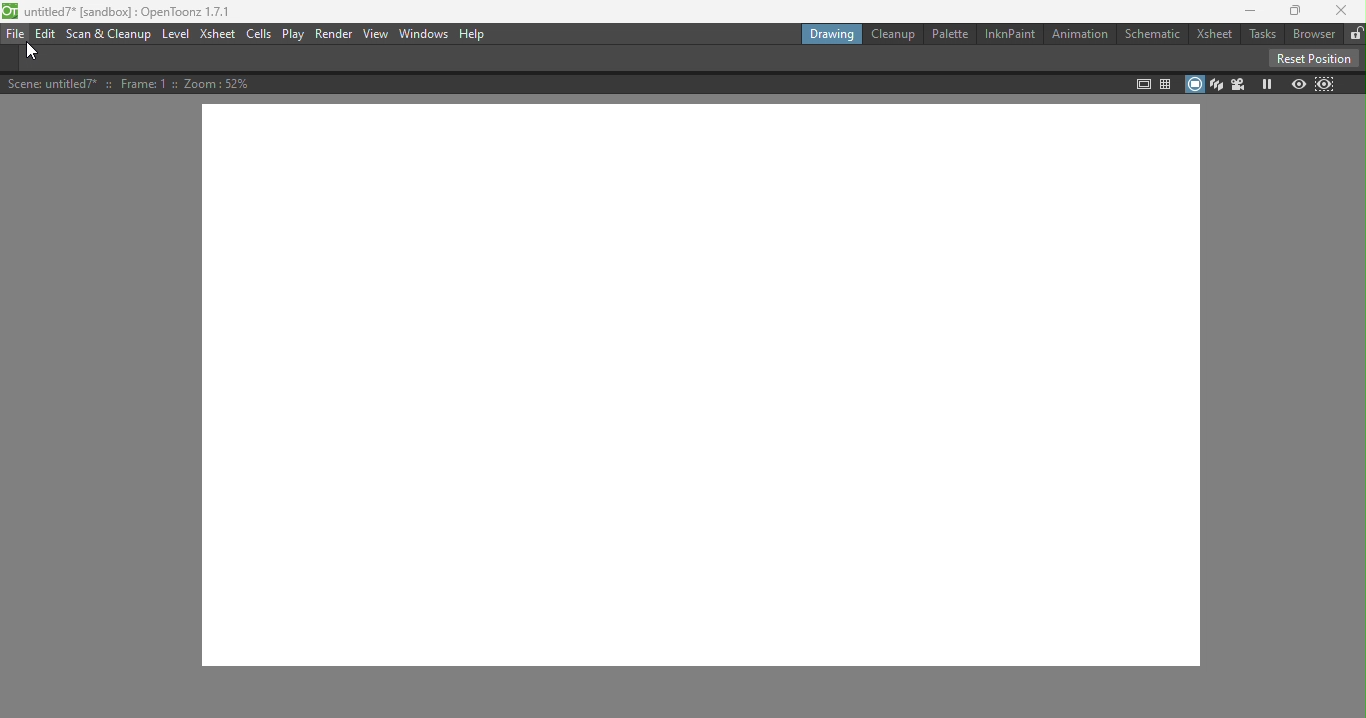  I want to click on Minimize, so click(1245, 13).